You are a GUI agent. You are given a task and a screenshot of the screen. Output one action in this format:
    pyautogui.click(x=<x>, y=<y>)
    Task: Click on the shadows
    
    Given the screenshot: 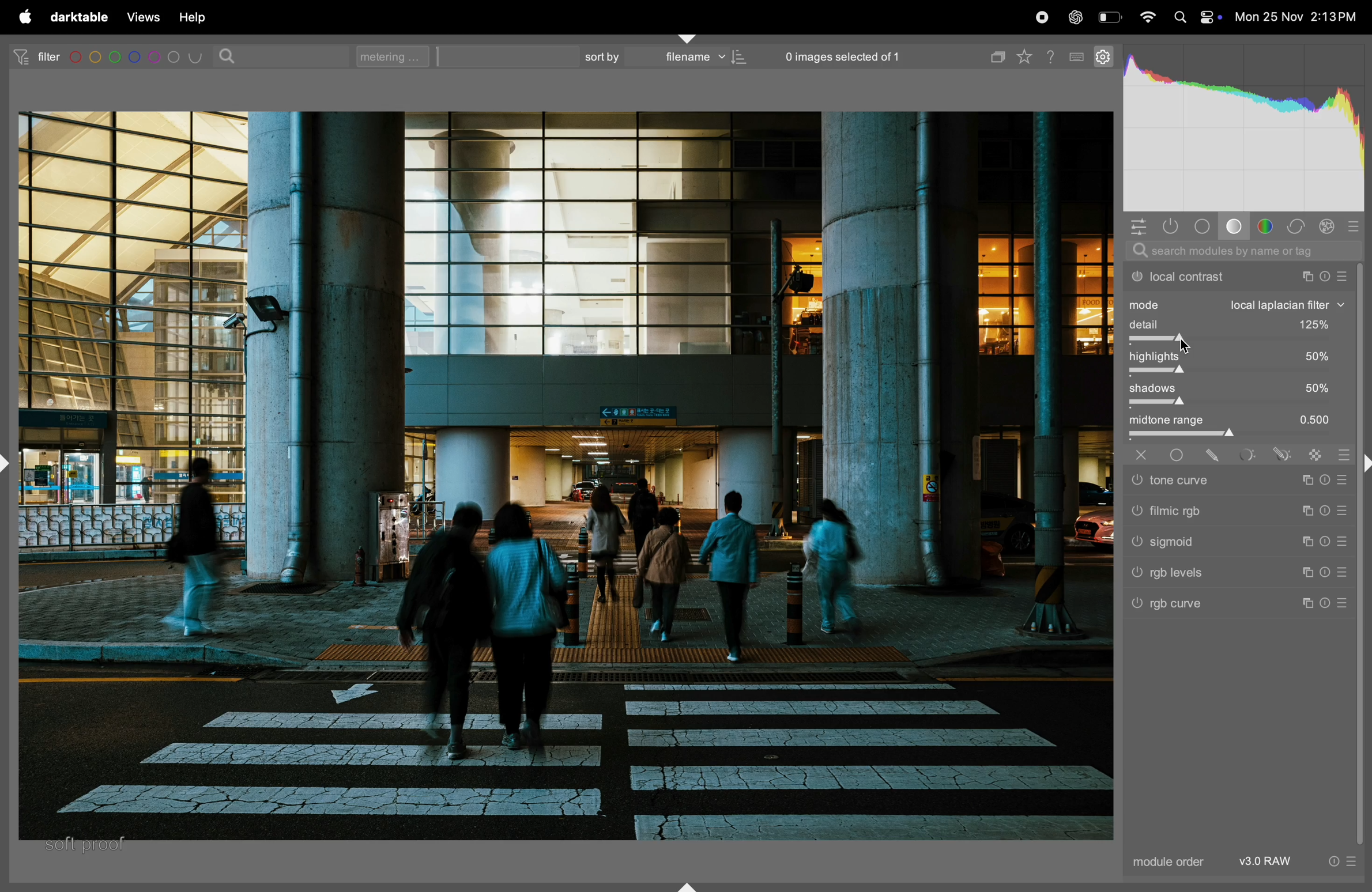 What is the action you would take?
    pyautogui.click(x=1236, y=388)
    